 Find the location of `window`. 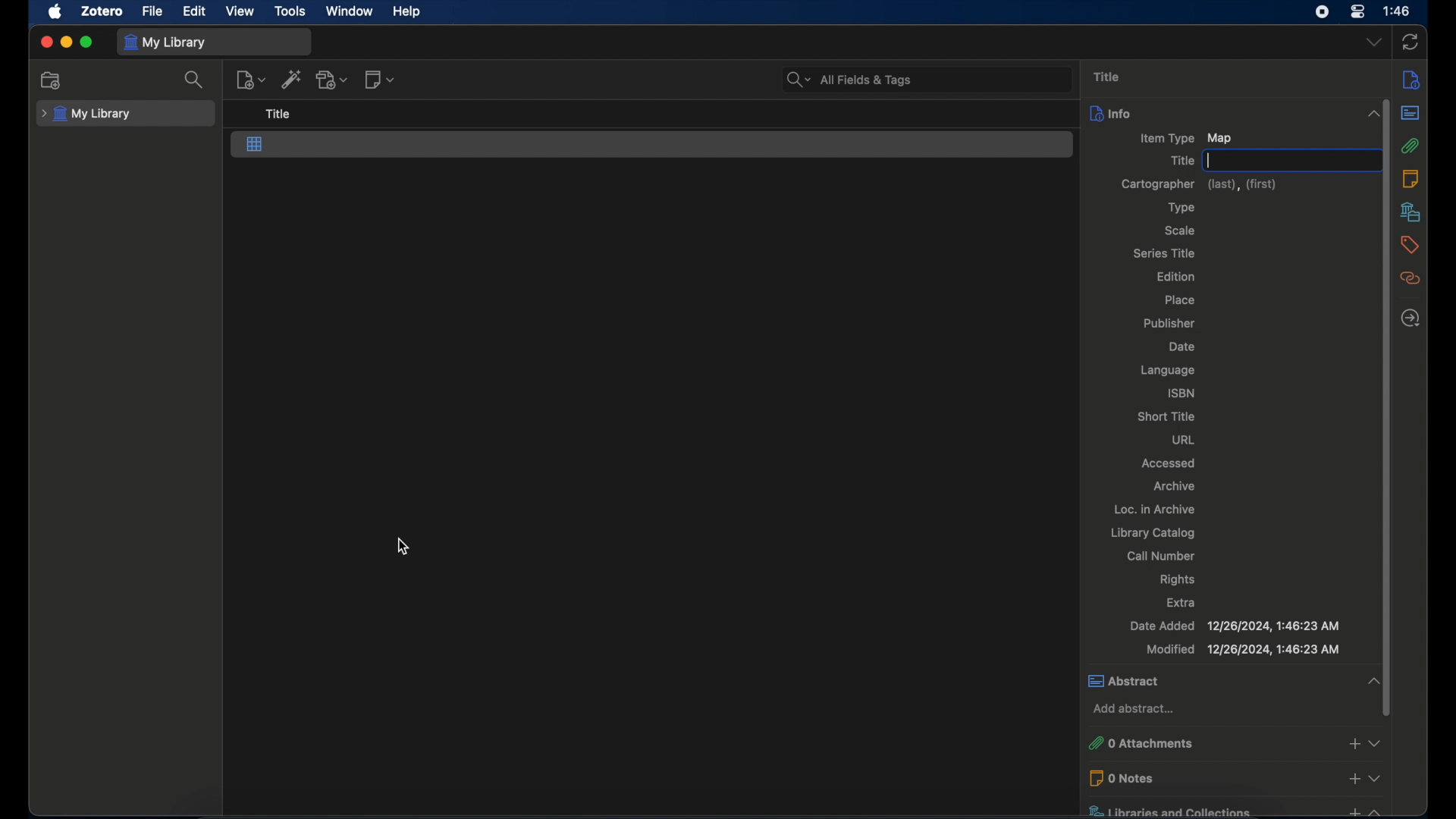

window is located at coordinates (350, 10).